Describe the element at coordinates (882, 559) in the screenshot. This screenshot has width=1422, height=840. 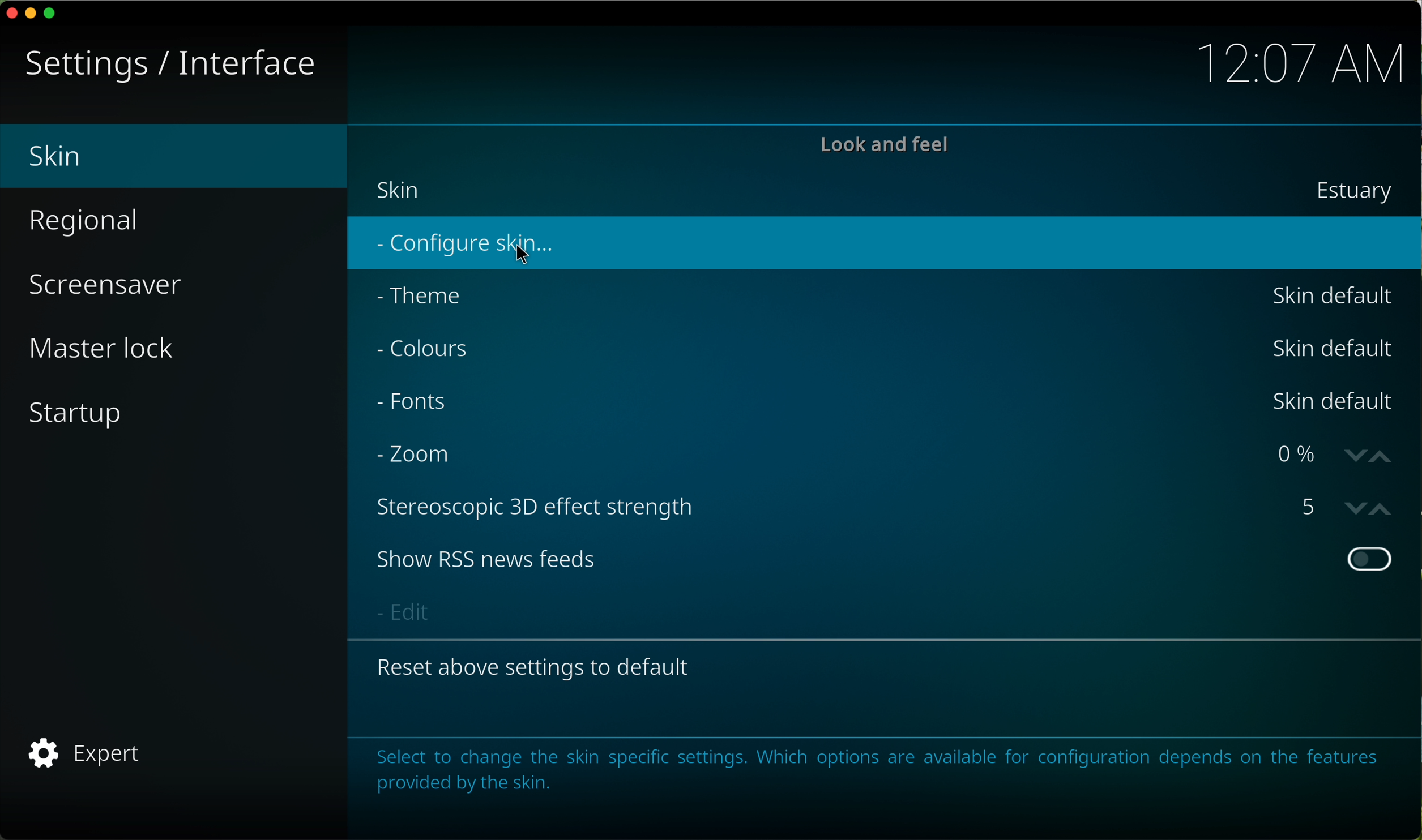
I see `show RSS news feeds` at that location.